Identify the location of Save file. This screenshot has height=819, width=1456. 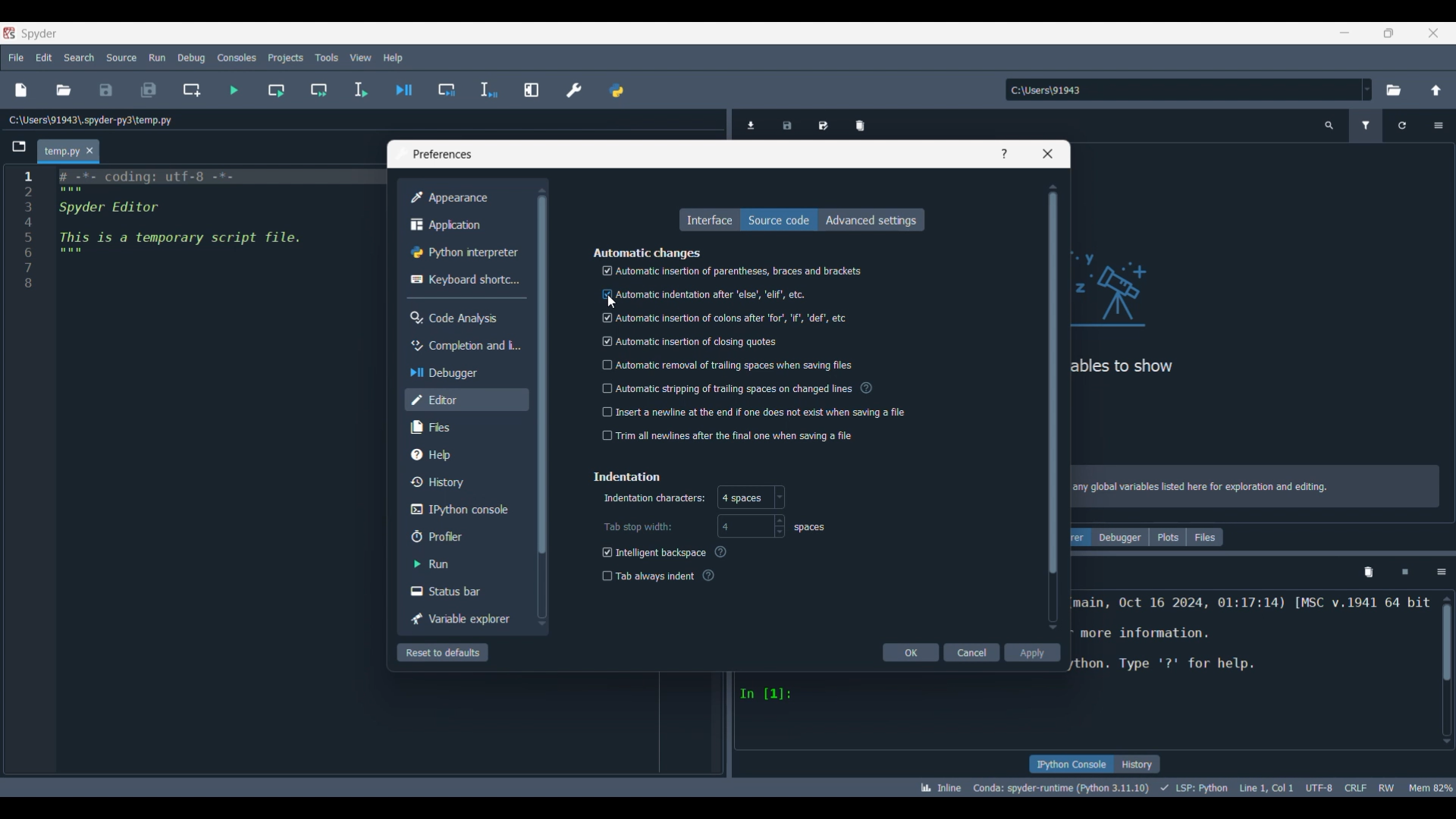
(106, 90).